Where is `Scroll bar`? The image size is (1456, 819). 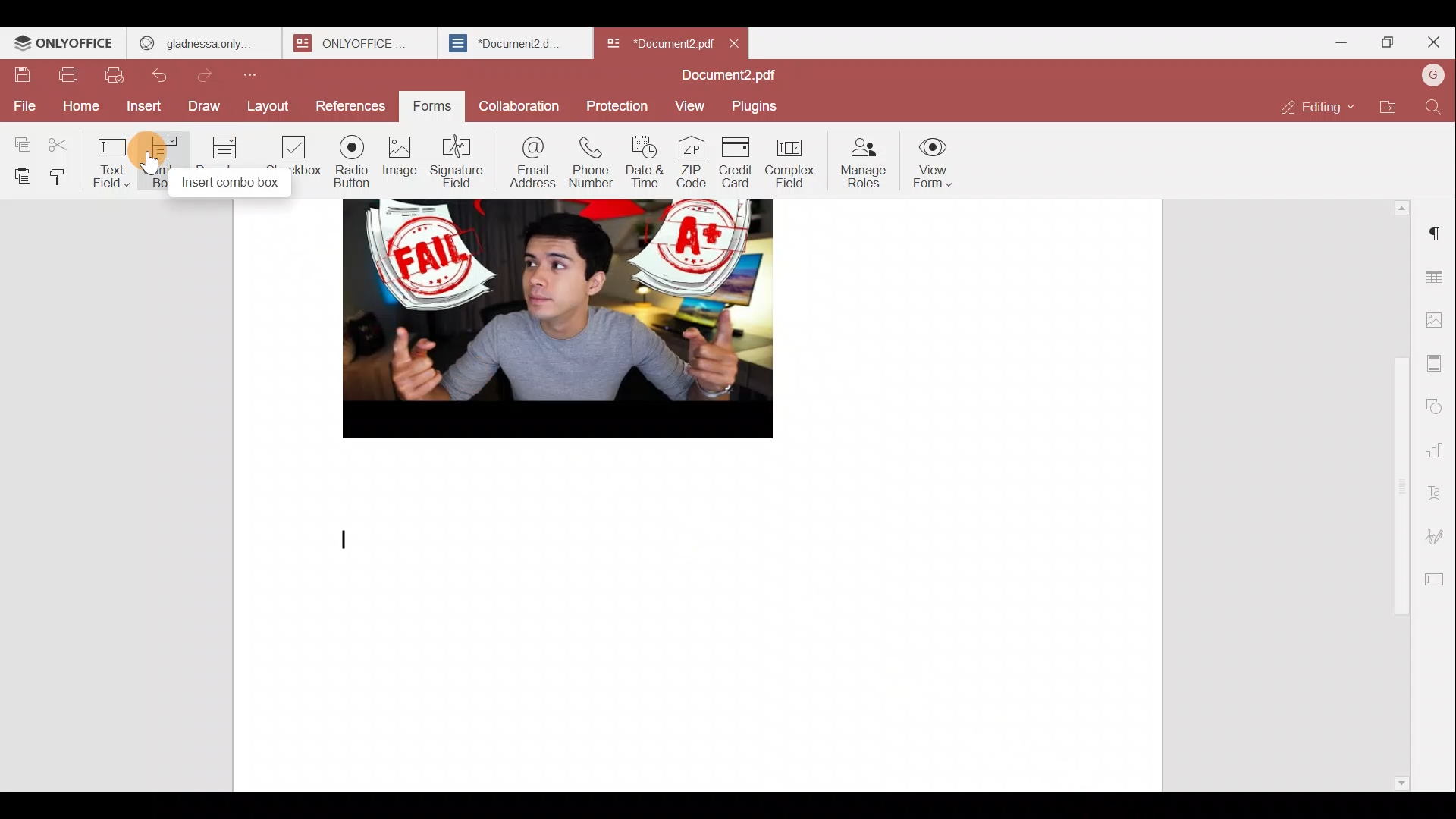
Scroll bar is located at coordinates (1397, 495).